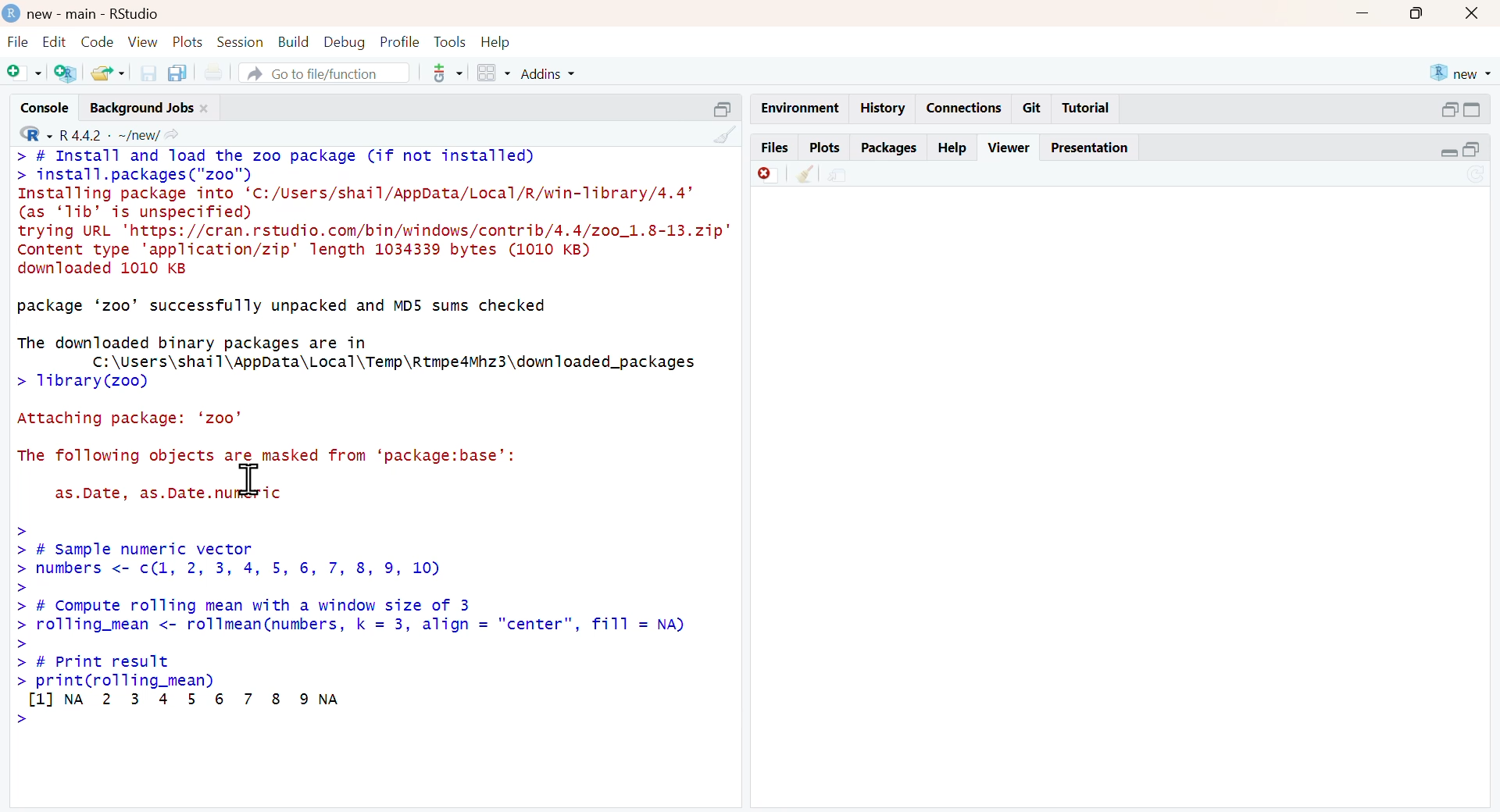 The width and height of the screenshot is (1500, 812). I want to click on Attaching package: ‘zoo’, so click(130, 418).